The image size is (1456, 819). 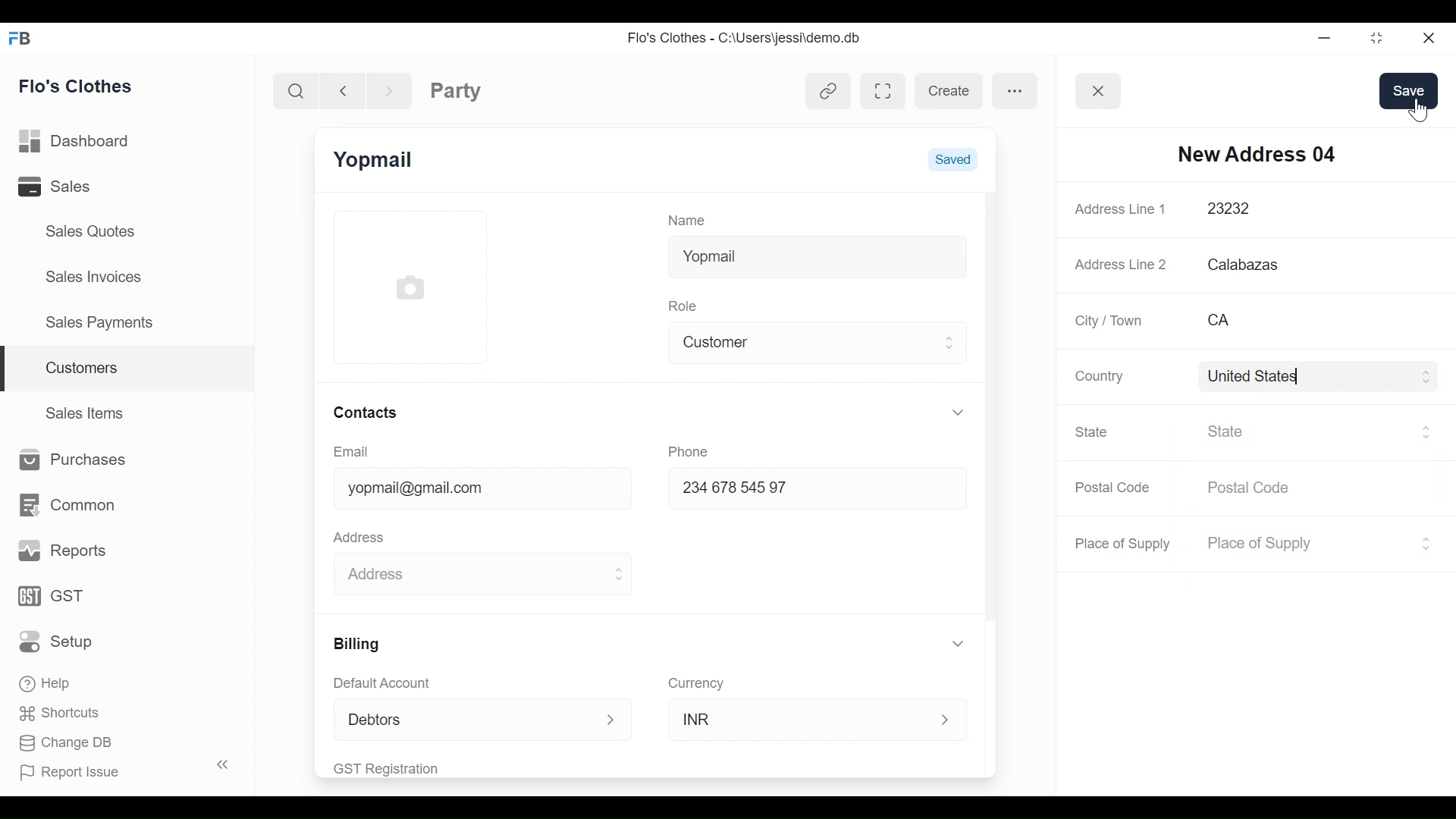 What do you see at coordinates (1420, 112) in the screenshot?
I see `cursor` at bounding box center [1420, 112].